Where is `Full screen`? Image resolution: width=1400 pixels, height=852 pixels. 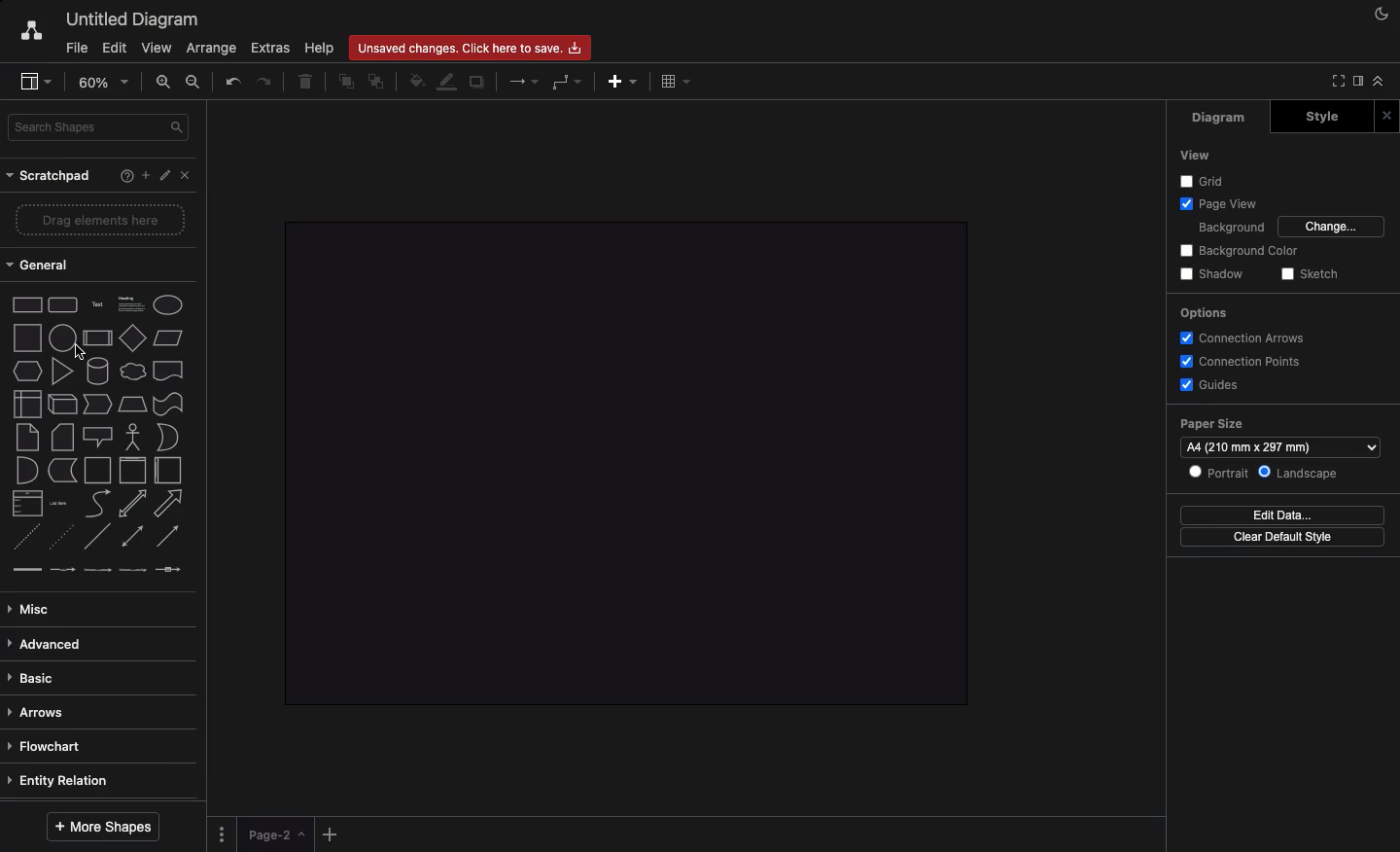 Full screen is located at coordinates (1334, 82).